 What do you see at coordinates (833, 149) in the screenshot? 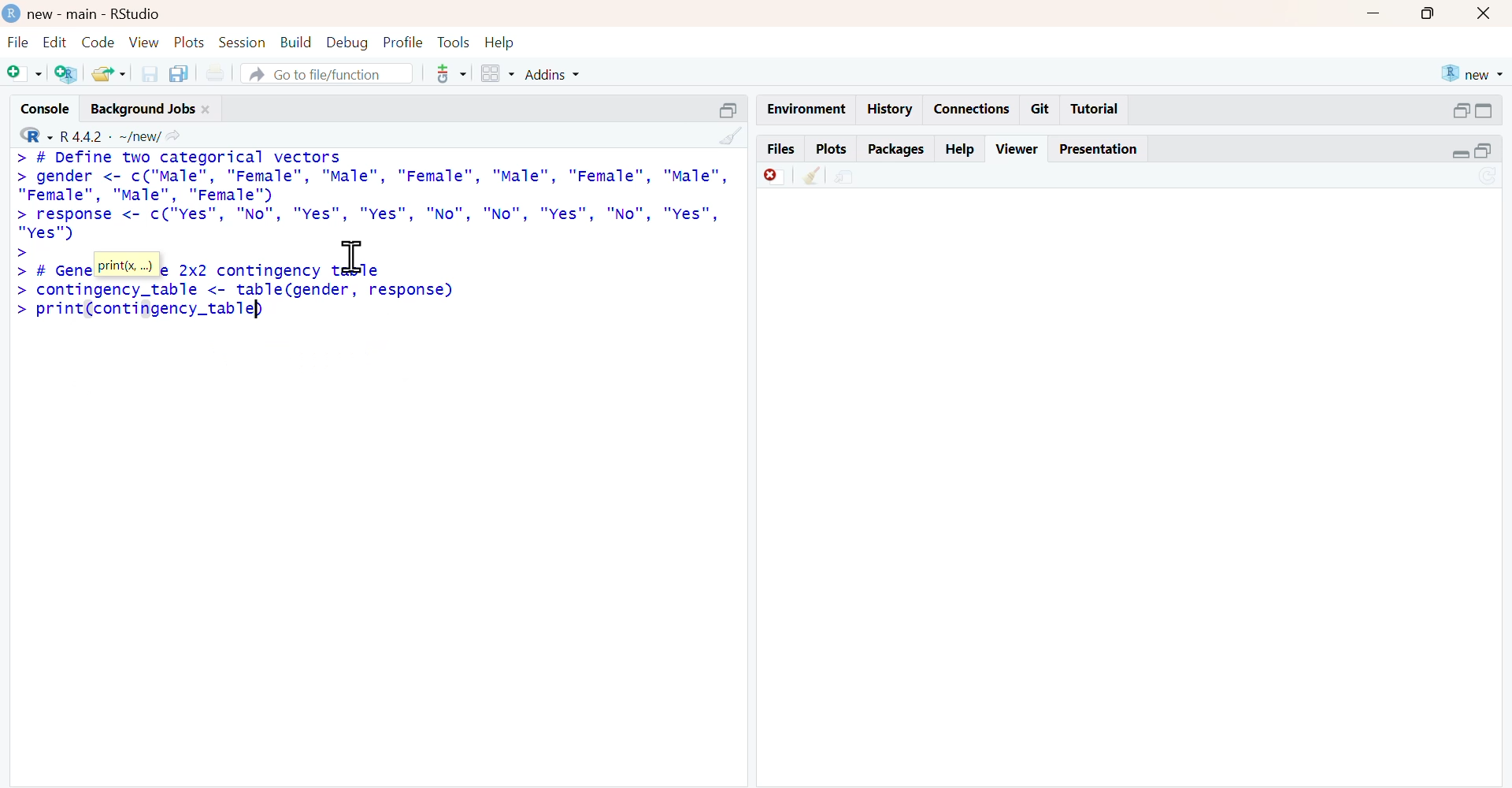
I see `plots` at bounding box center [833, 149].